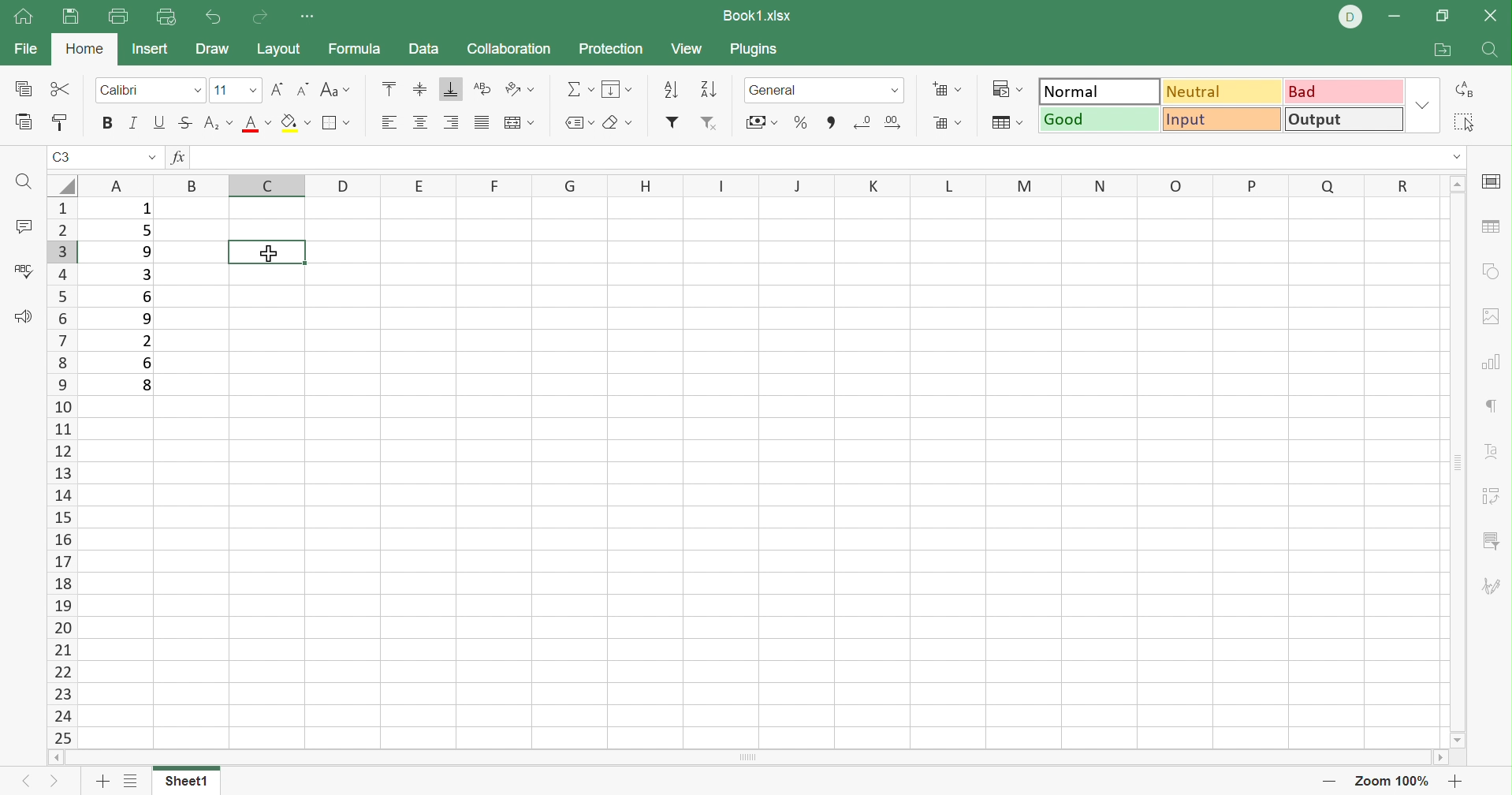 The height and width of the screenshot is (795, 1512). I want to click on Shape settings, so click(1494, 271).